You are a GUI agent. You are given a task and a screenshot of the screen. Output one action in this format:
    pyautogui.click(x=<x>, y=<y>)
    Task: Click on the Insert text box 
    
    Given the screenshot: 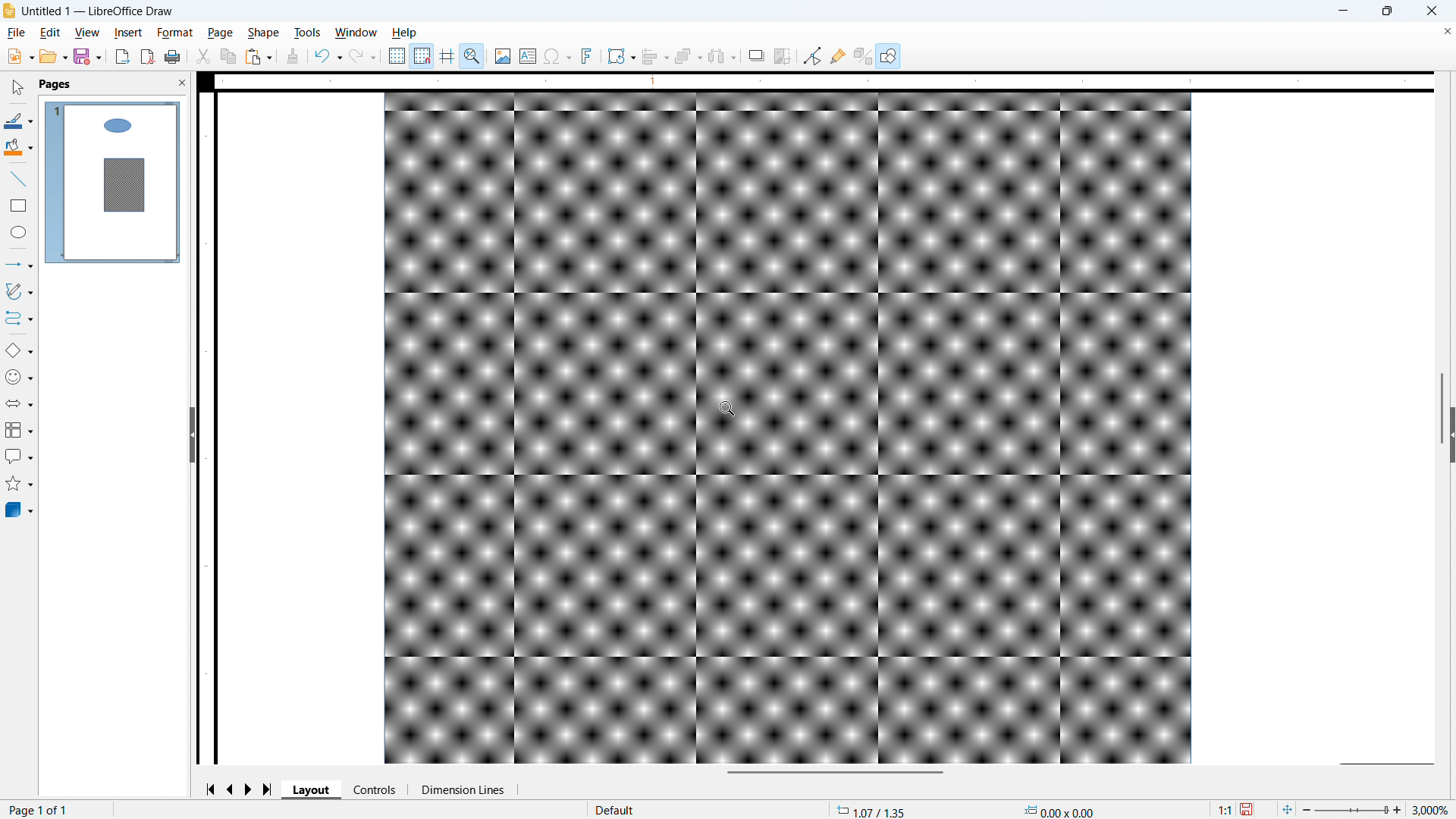 What is the action you would take?
    pyautogui.click(x=528, y=55)
    